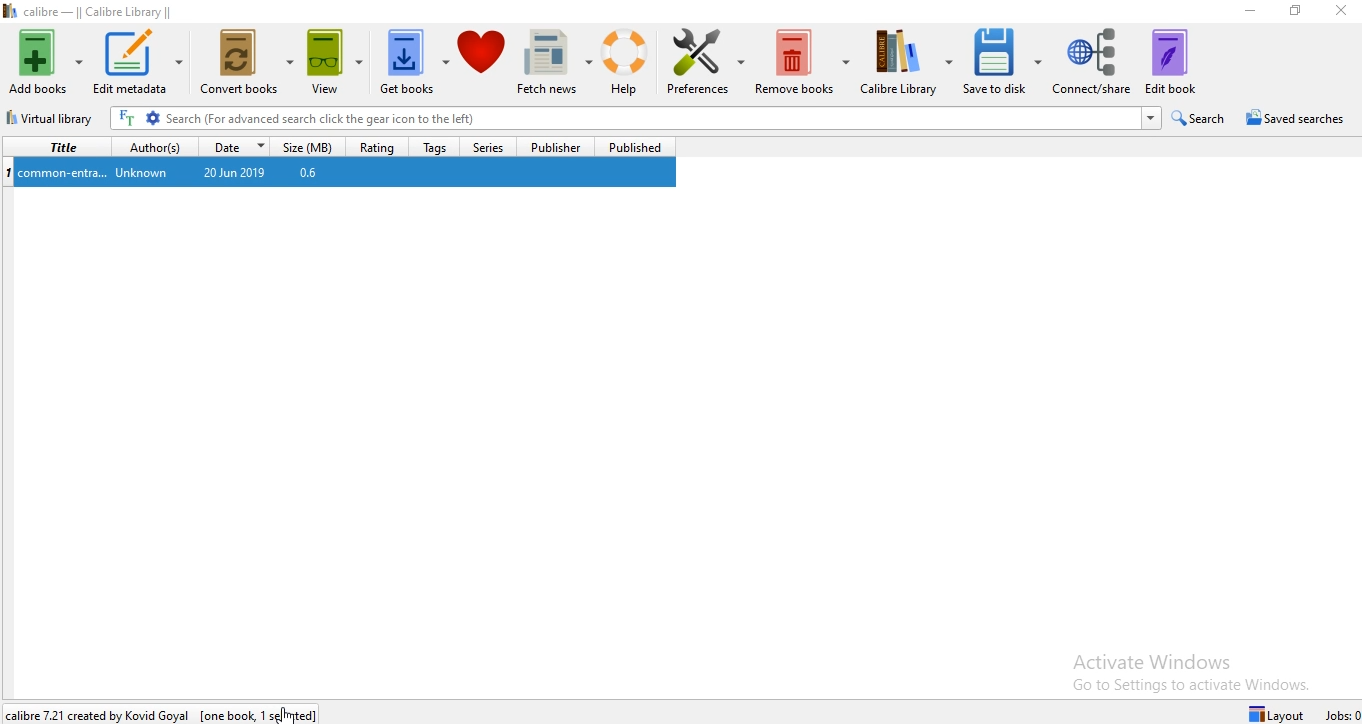 Image resolution: width=1362 pixels, height=724 pixels. I want to click on calibre 7.2.1  created by David Goyal [0], so click(168, 710).